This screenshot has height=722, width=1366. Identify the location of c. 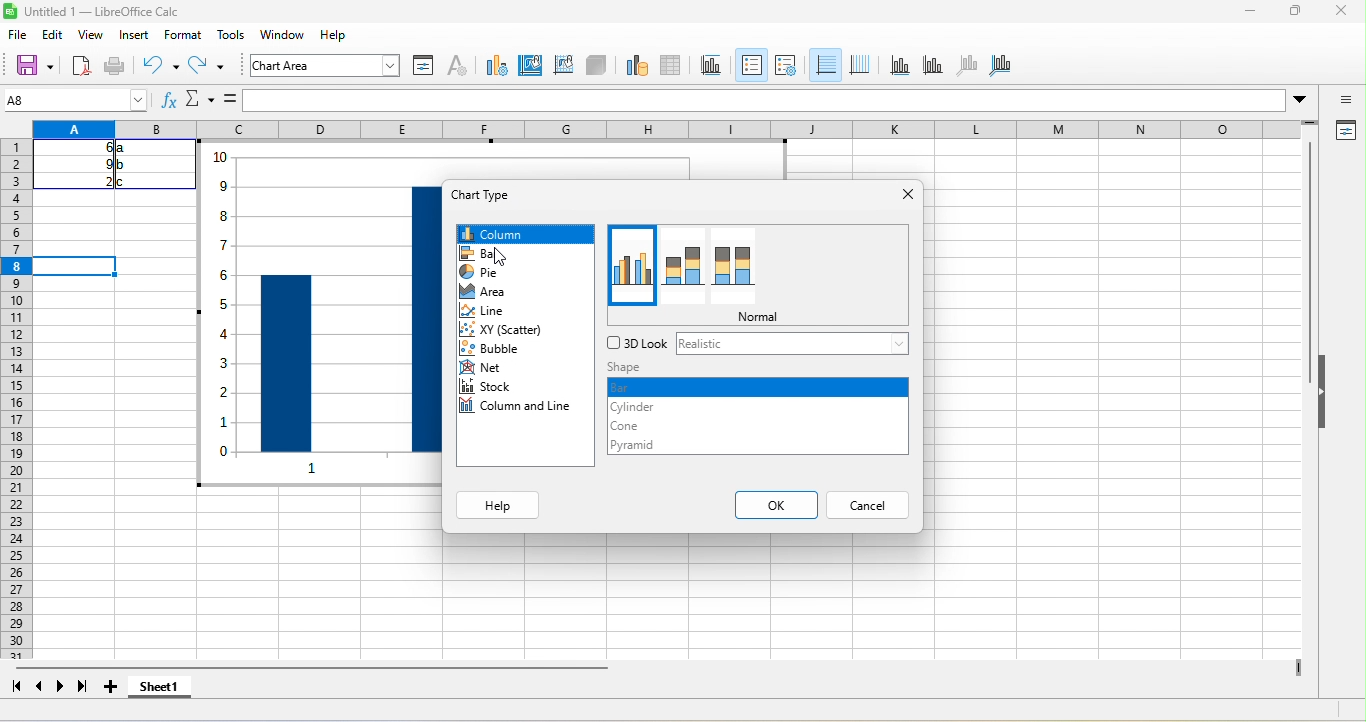
(127, 181).